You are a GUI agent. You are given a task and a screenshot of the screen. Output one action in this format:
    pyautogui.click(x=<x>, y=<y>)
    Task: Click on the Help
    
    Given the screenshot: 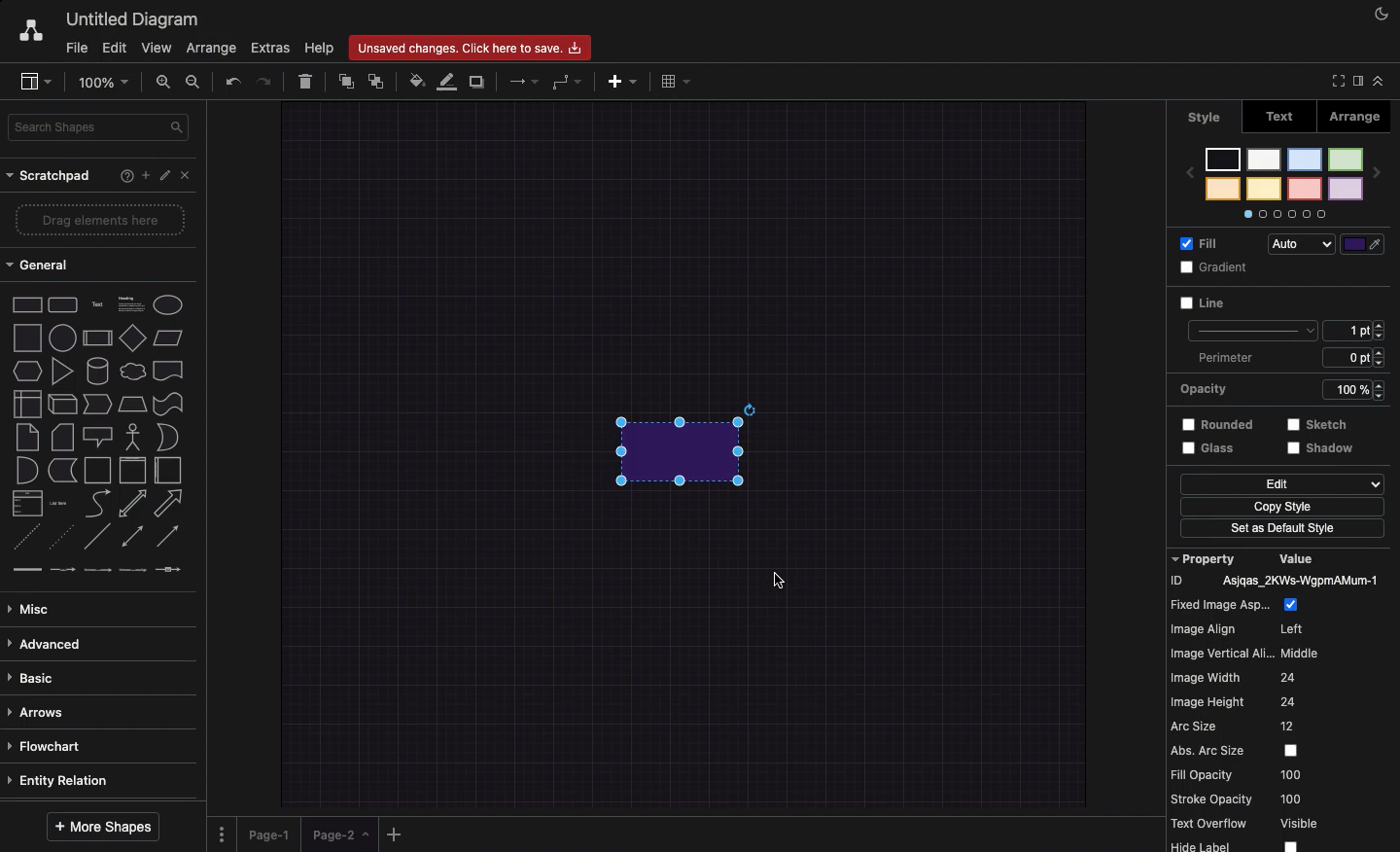 What is the action you would take?
    pyautogui.click(x=122, y=177)
    